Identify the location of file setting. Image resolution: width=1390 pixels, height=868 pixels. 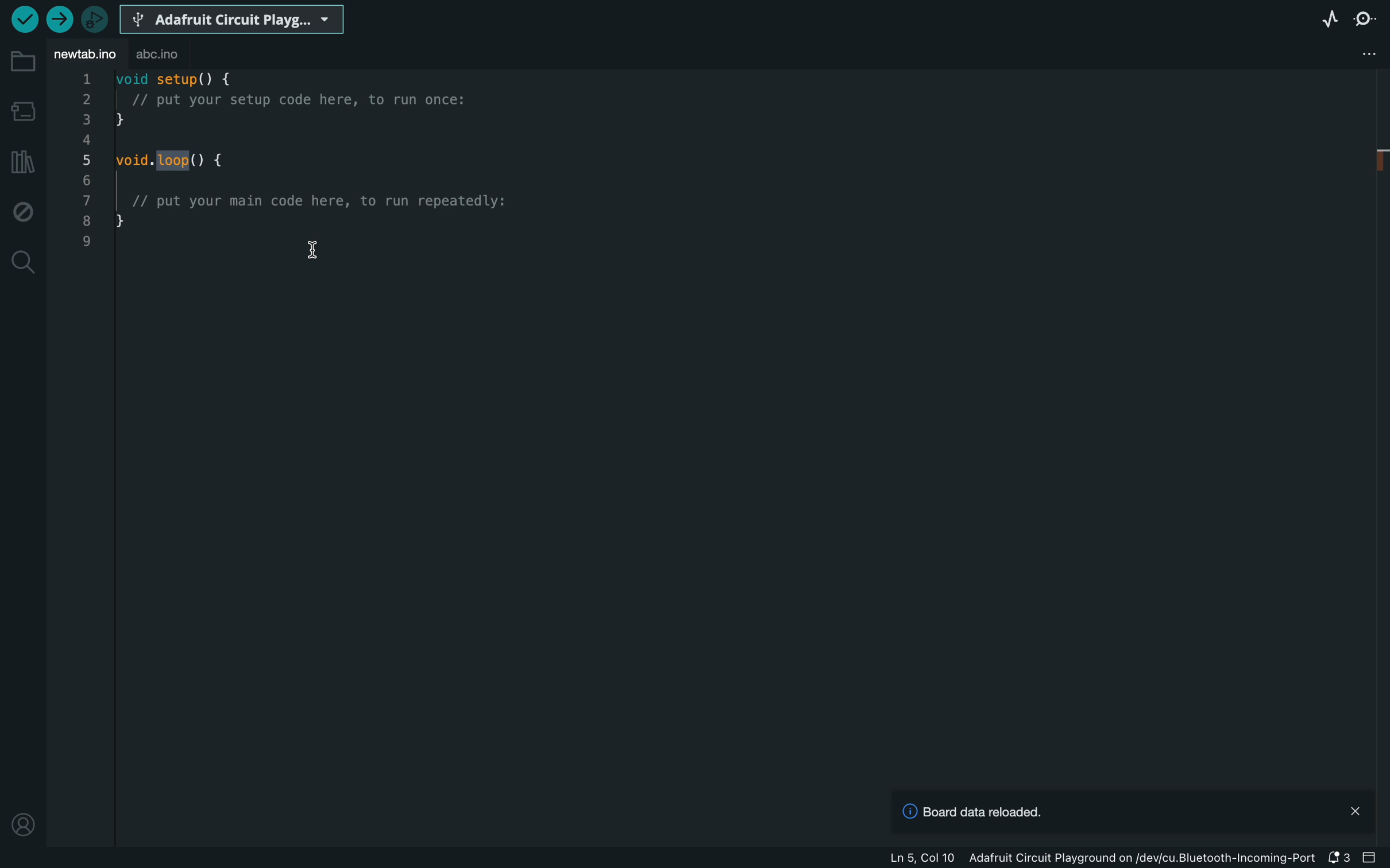
(1369, 54).